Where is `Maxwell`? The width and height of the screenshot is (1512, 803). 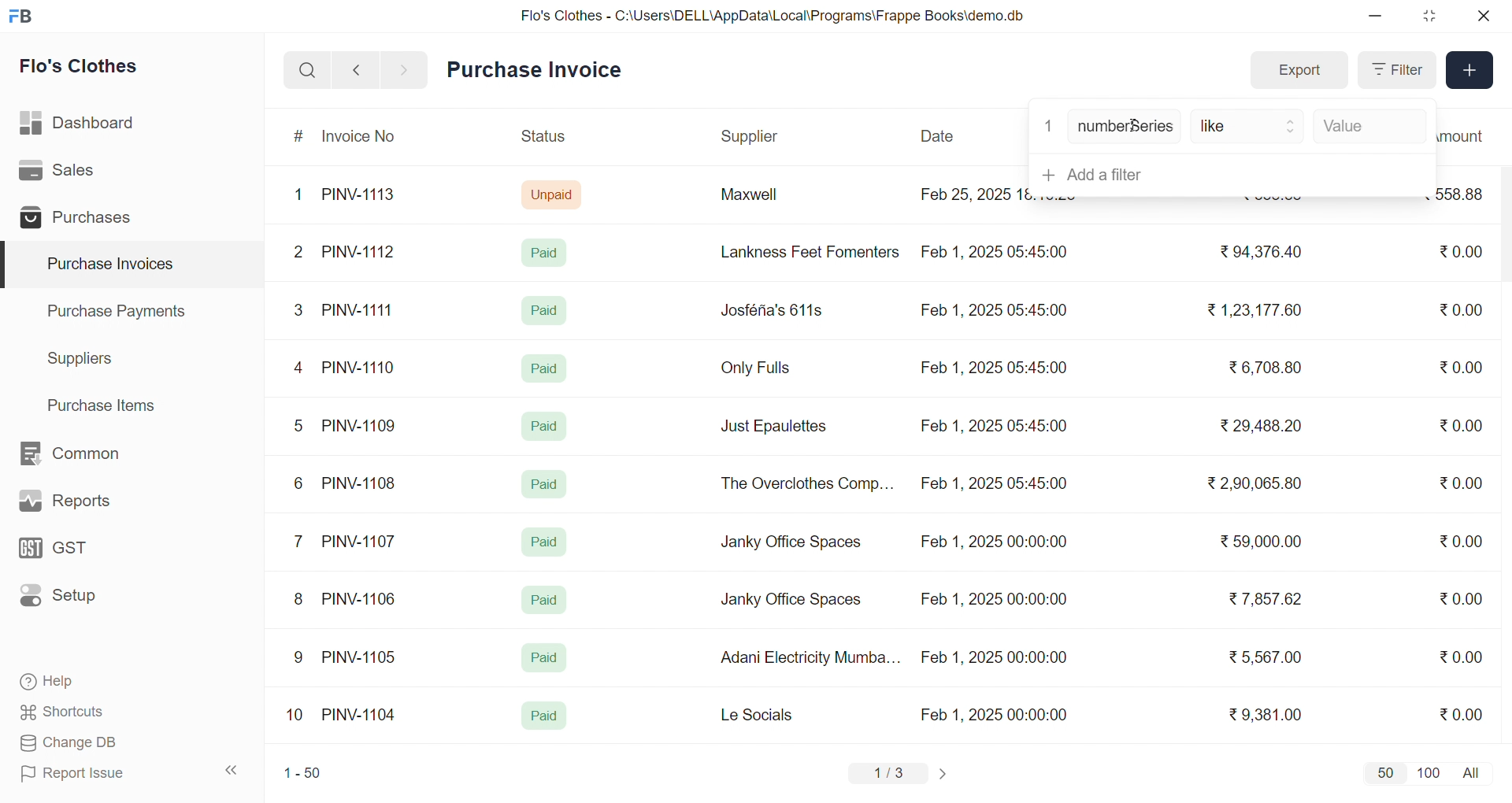 Maxwell is located at coordinates (767, 200).